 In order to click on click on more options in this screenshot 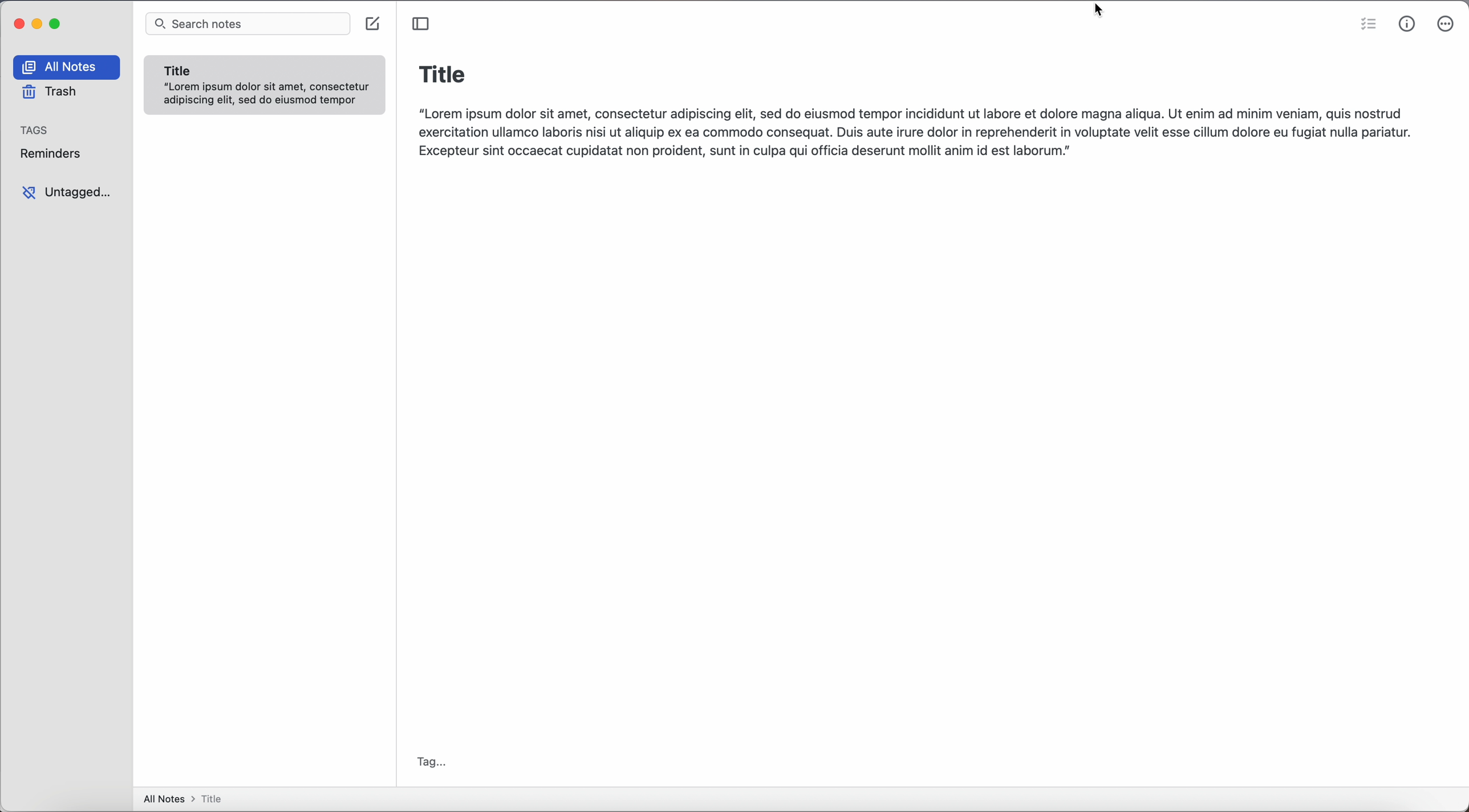, I will do `click(1446, 21)`.